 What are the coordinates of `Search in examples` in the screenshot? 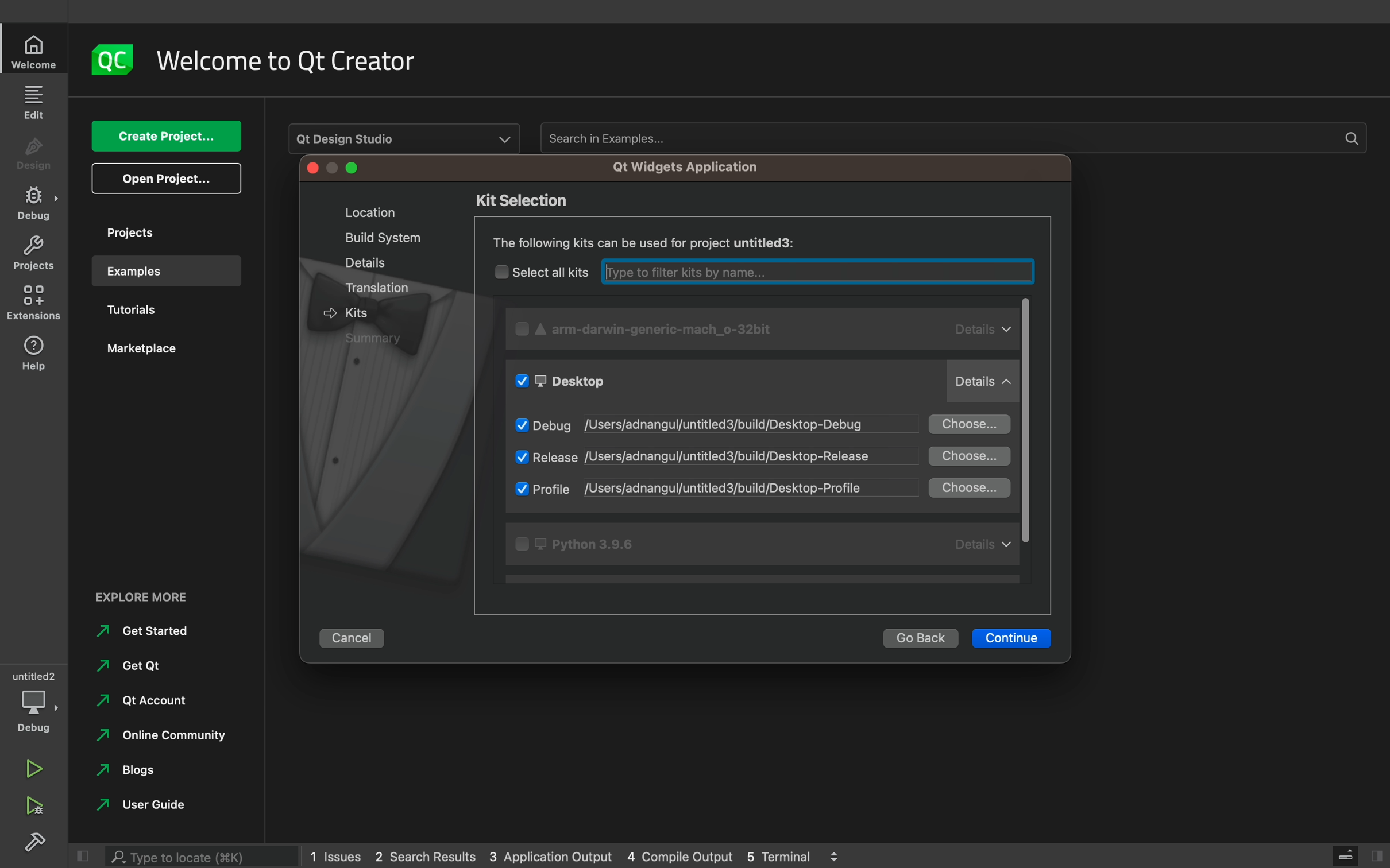 It's located at (951, 138).